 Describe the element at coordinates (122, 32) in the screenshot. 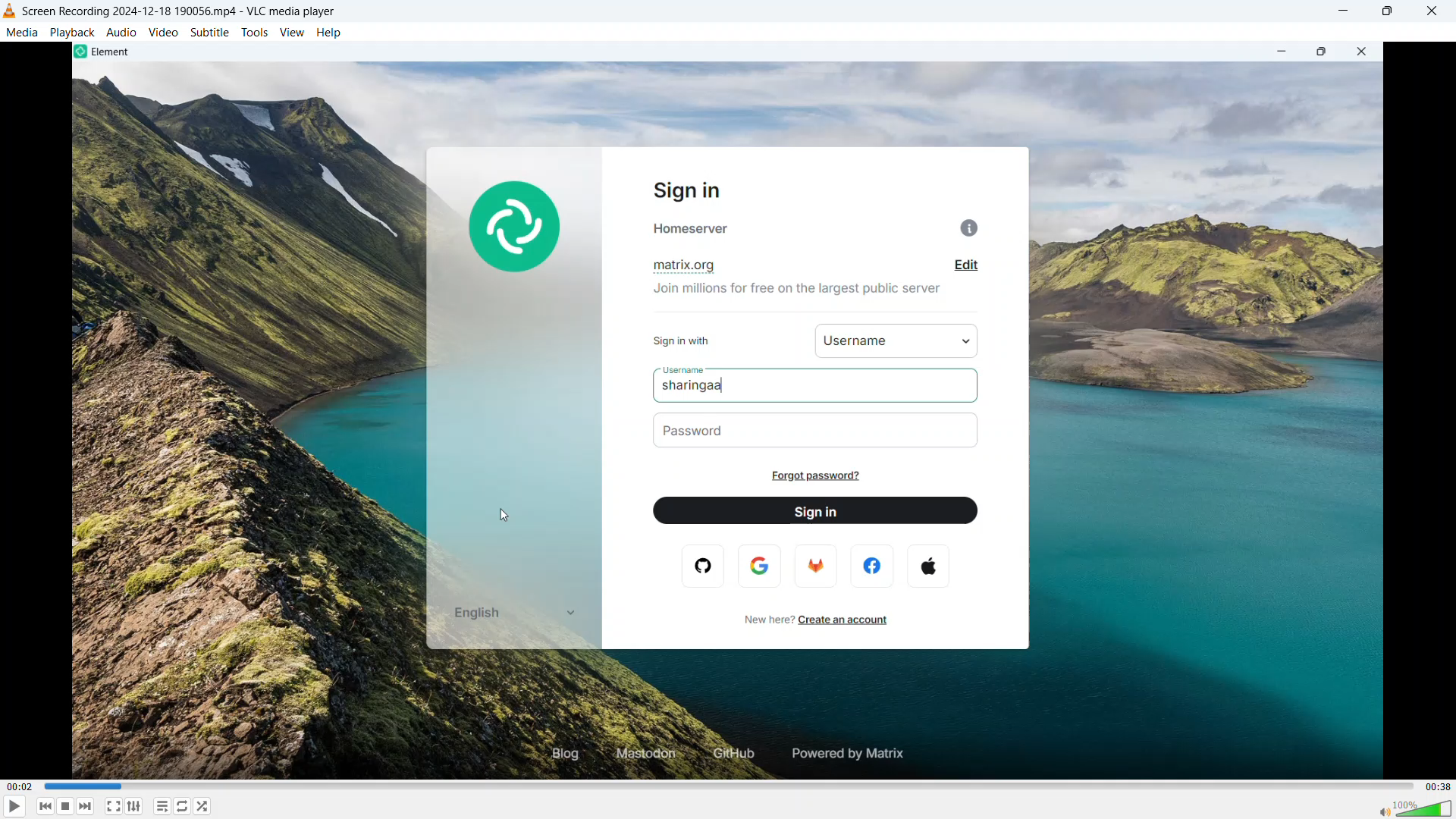

I see `Audio ` at that location.